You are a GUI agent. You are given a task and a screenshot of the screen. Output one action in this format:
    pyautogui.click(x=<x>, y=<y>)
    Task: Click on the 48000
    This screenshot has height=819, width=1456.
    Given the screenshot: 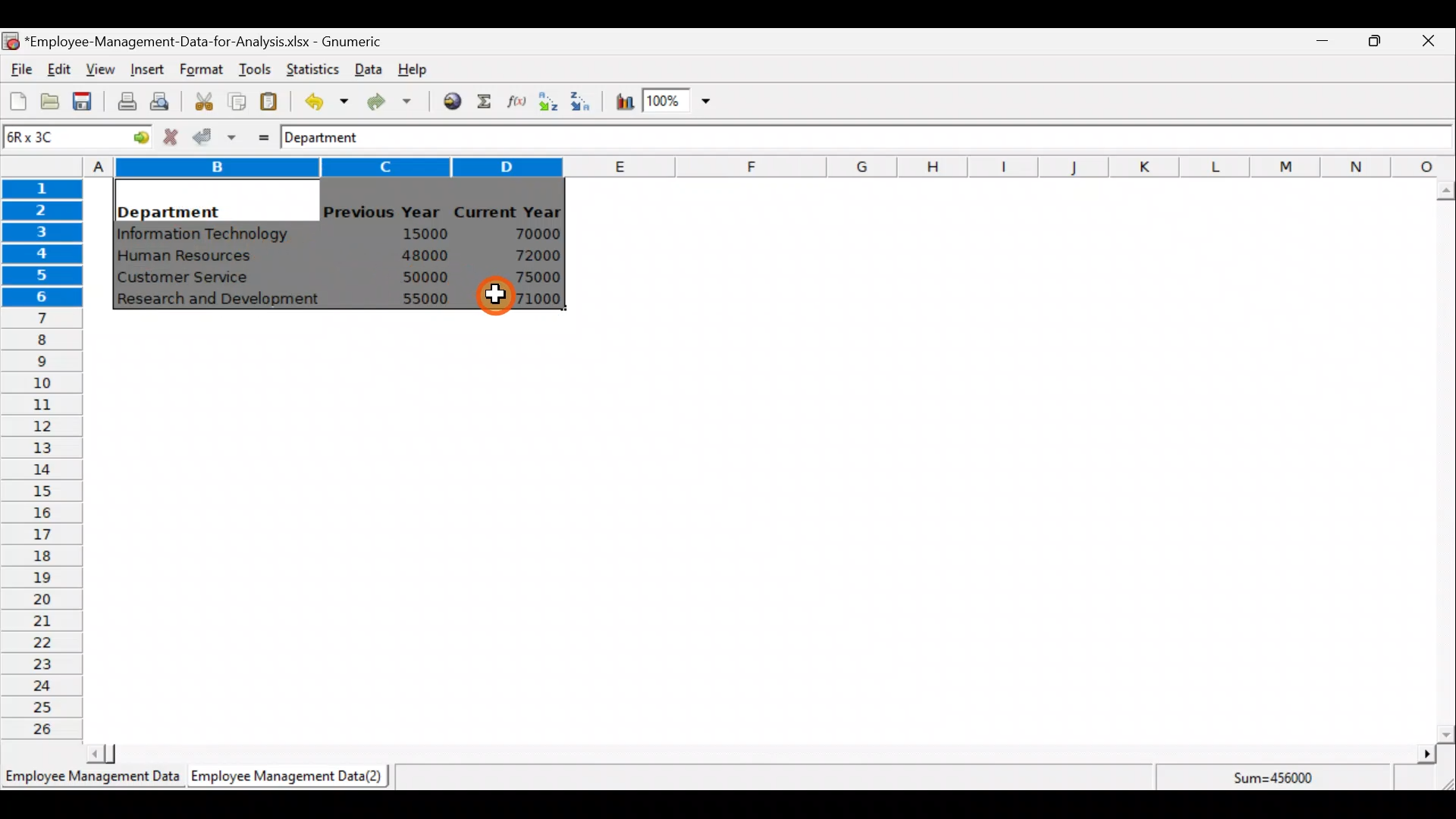 What is the action you would take?
    pyautogui.click(x=424, y=256)
    